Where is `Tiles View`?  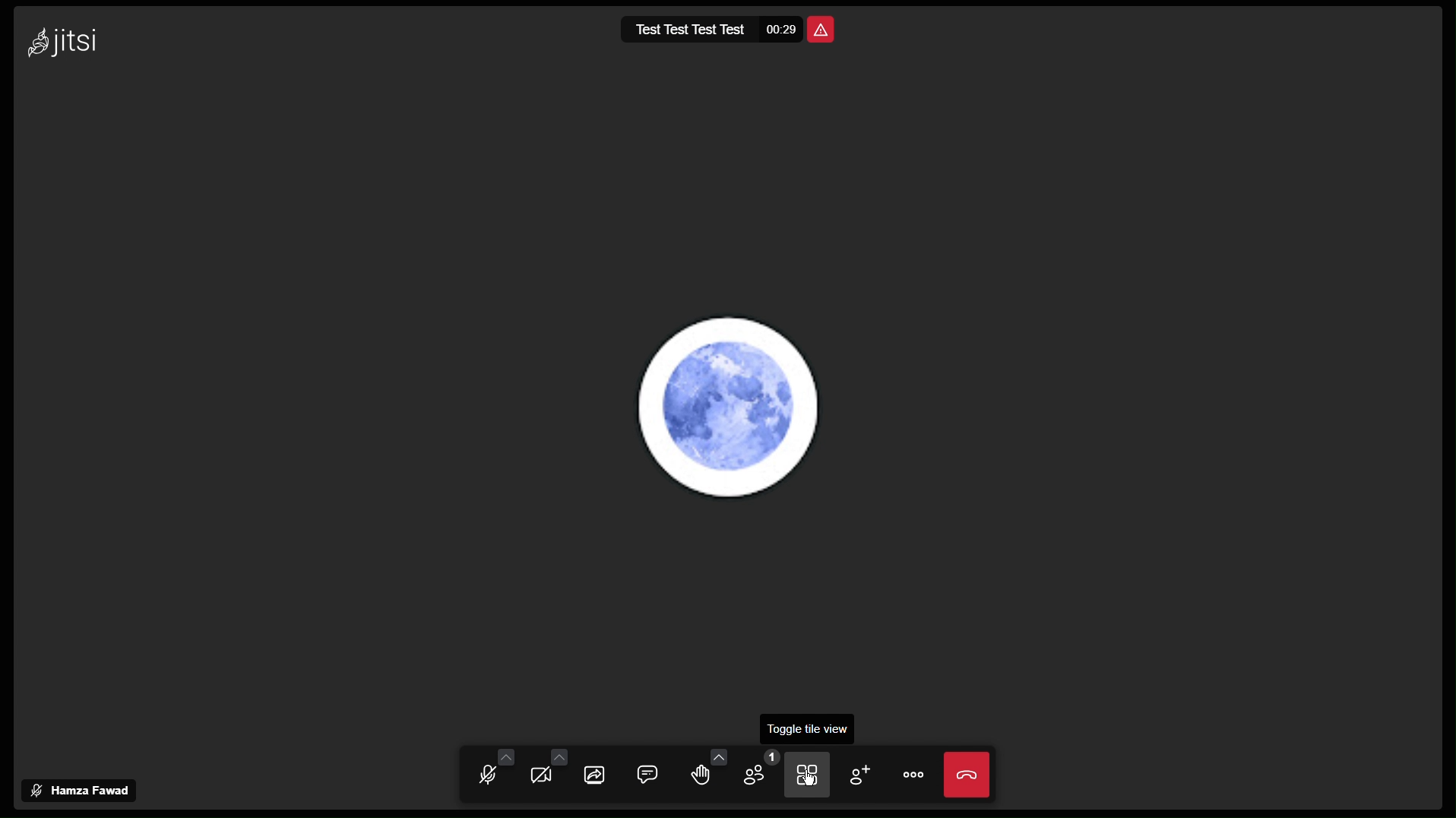 Tiles View is located at coordinates (810, 776).